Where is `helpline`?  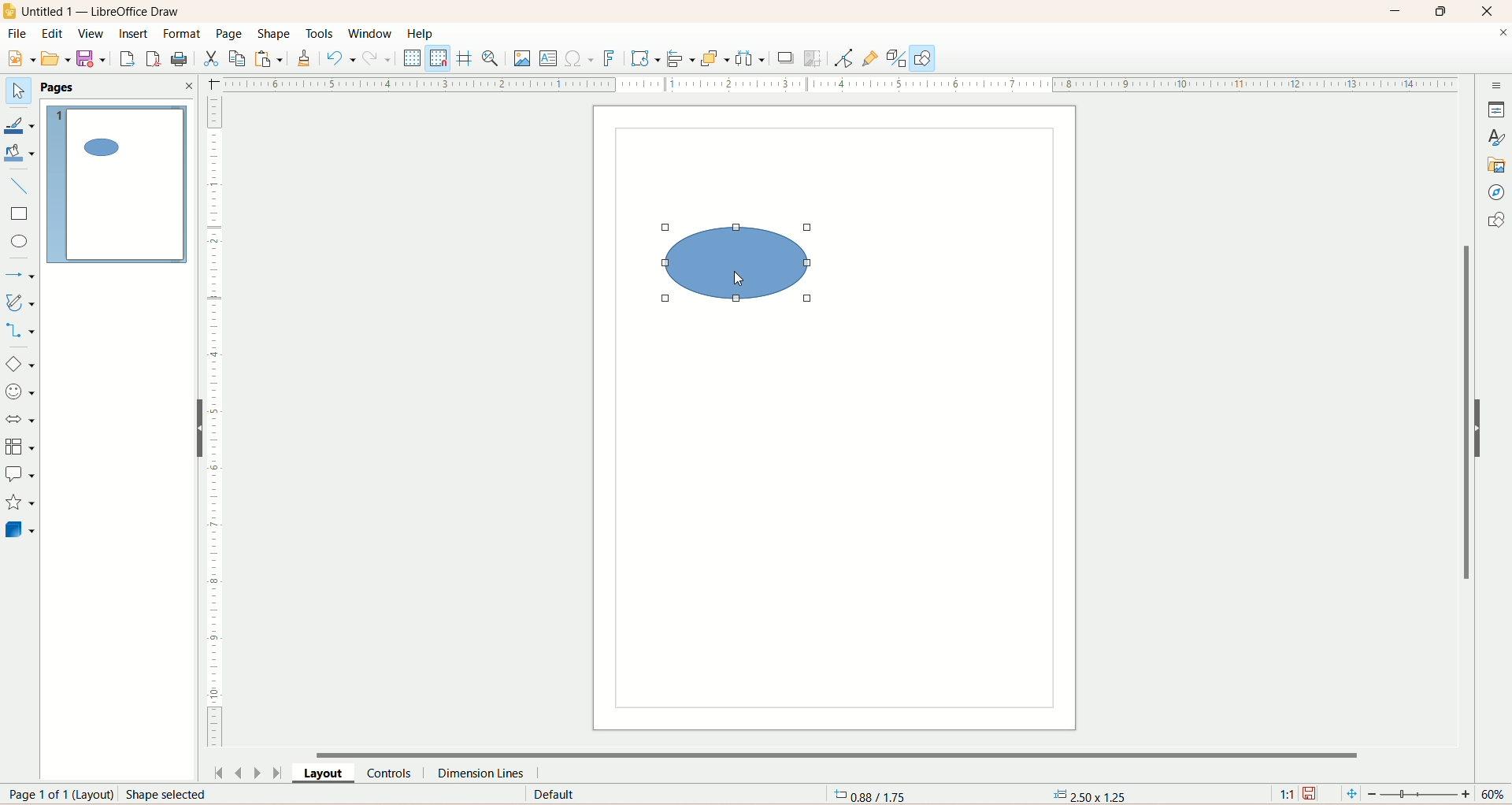
helpline is located at coordinates (465, 60).